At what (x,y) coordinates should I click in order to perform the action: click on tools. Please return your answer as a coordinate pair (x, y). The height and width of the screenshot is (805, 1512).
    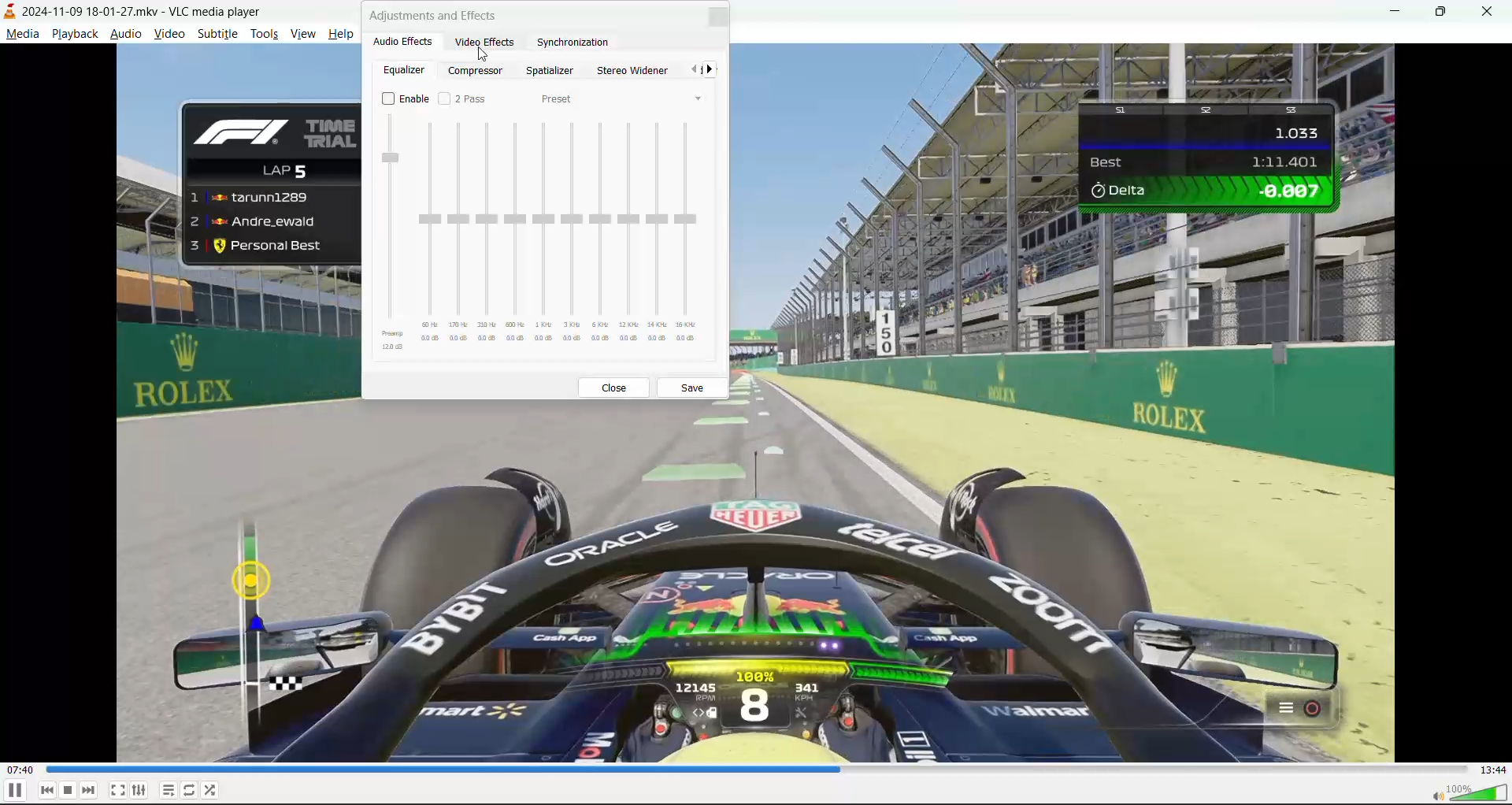
    Looking at the image, I should click on (264, 33).